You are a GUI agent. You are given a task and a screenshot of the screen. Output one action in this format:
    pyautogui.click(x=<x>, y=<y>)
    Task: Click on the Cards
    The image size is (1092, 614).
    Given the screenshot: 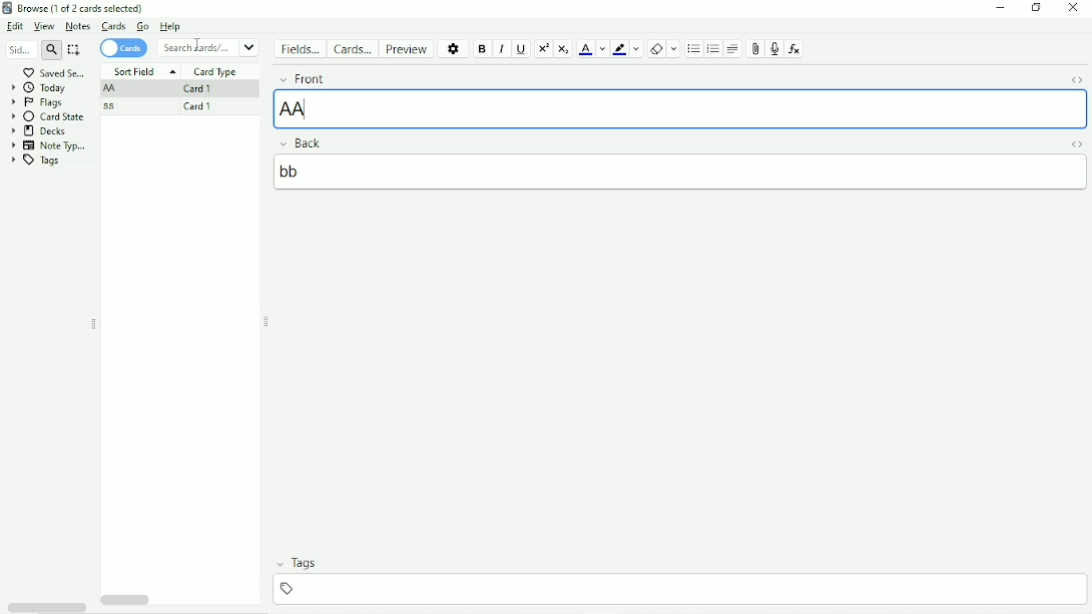 What is the action you would take?
    pyautogui.click(x=356, y=48)
    